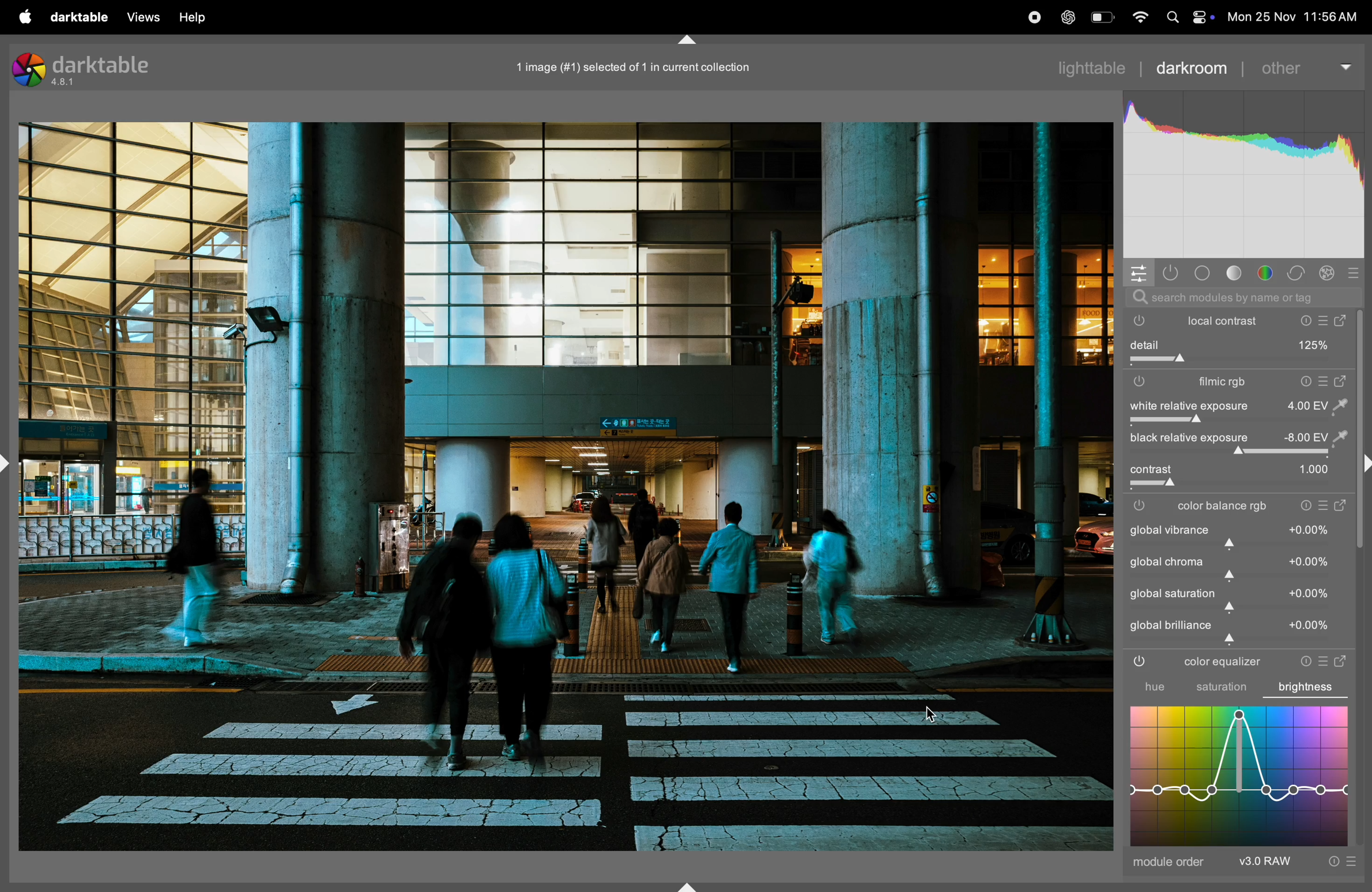 The image size is (1372, 892). Describe the element at coordinates (1324, 507) in the screenshot. I see `presets` at that location.